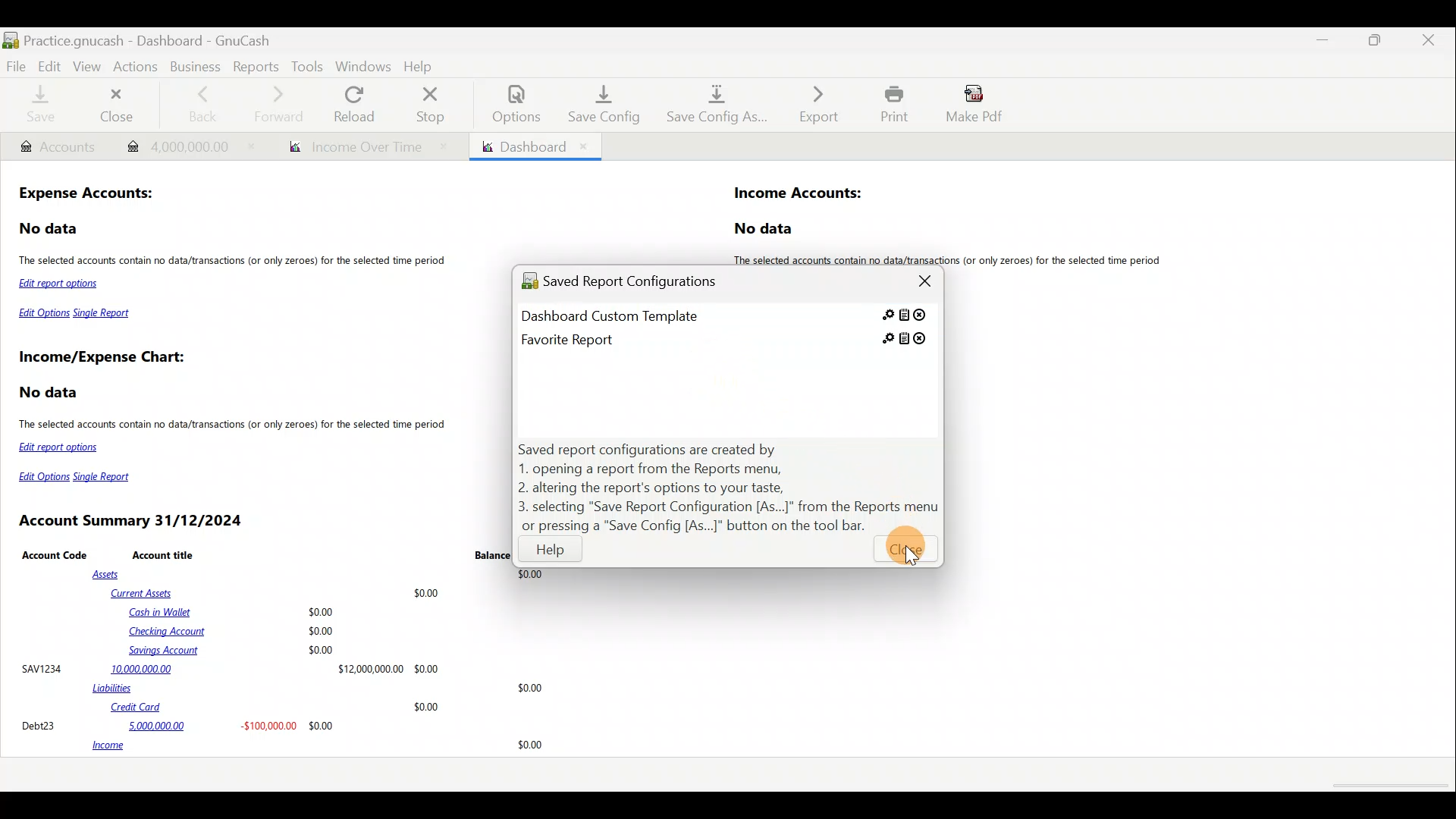  Describe the element at coordinates (88, 195) in the screenshot. I see `Expense Accounts:` at that location.